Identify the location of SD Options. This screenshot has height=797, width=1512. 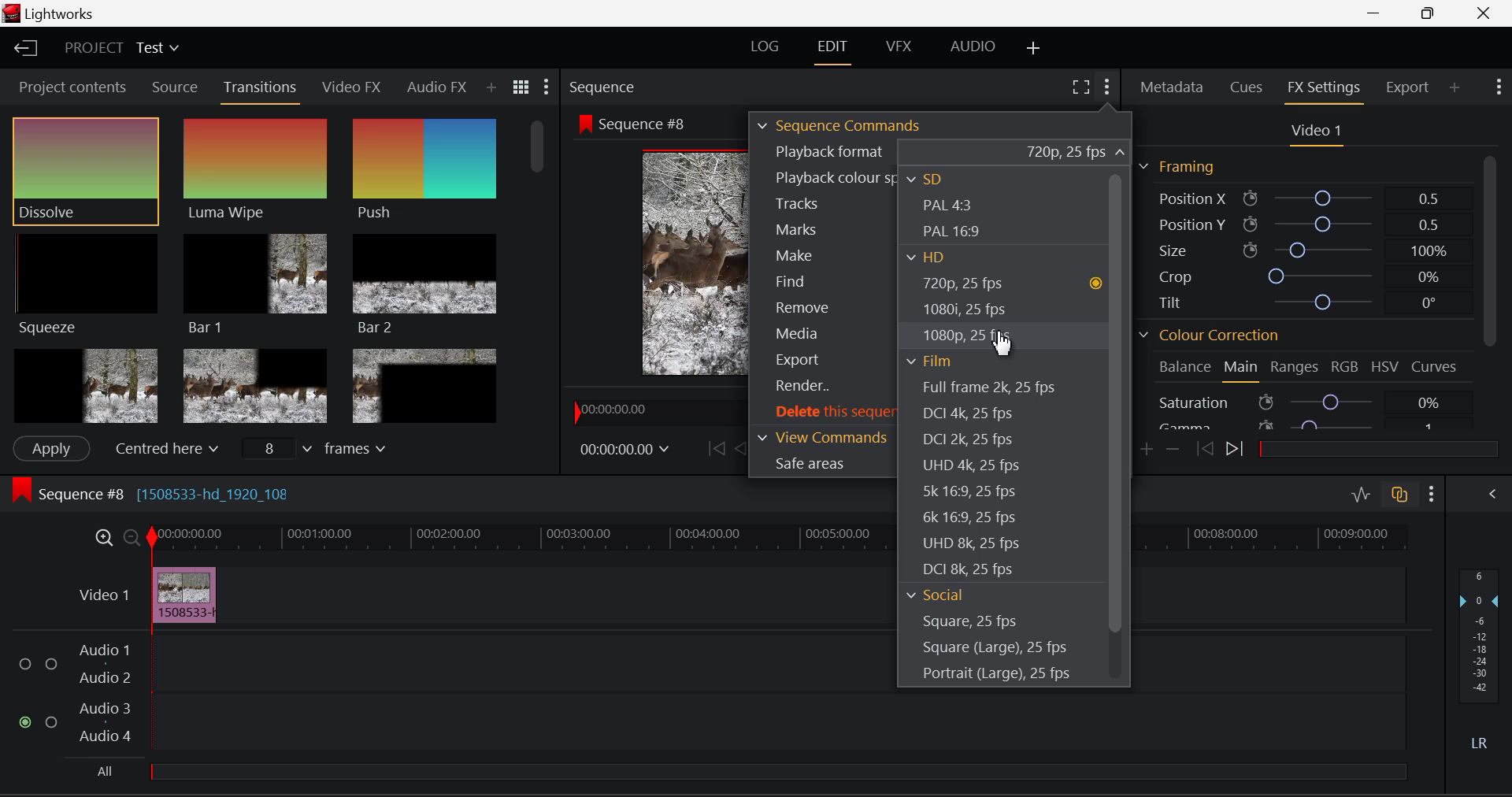
(937, 178).